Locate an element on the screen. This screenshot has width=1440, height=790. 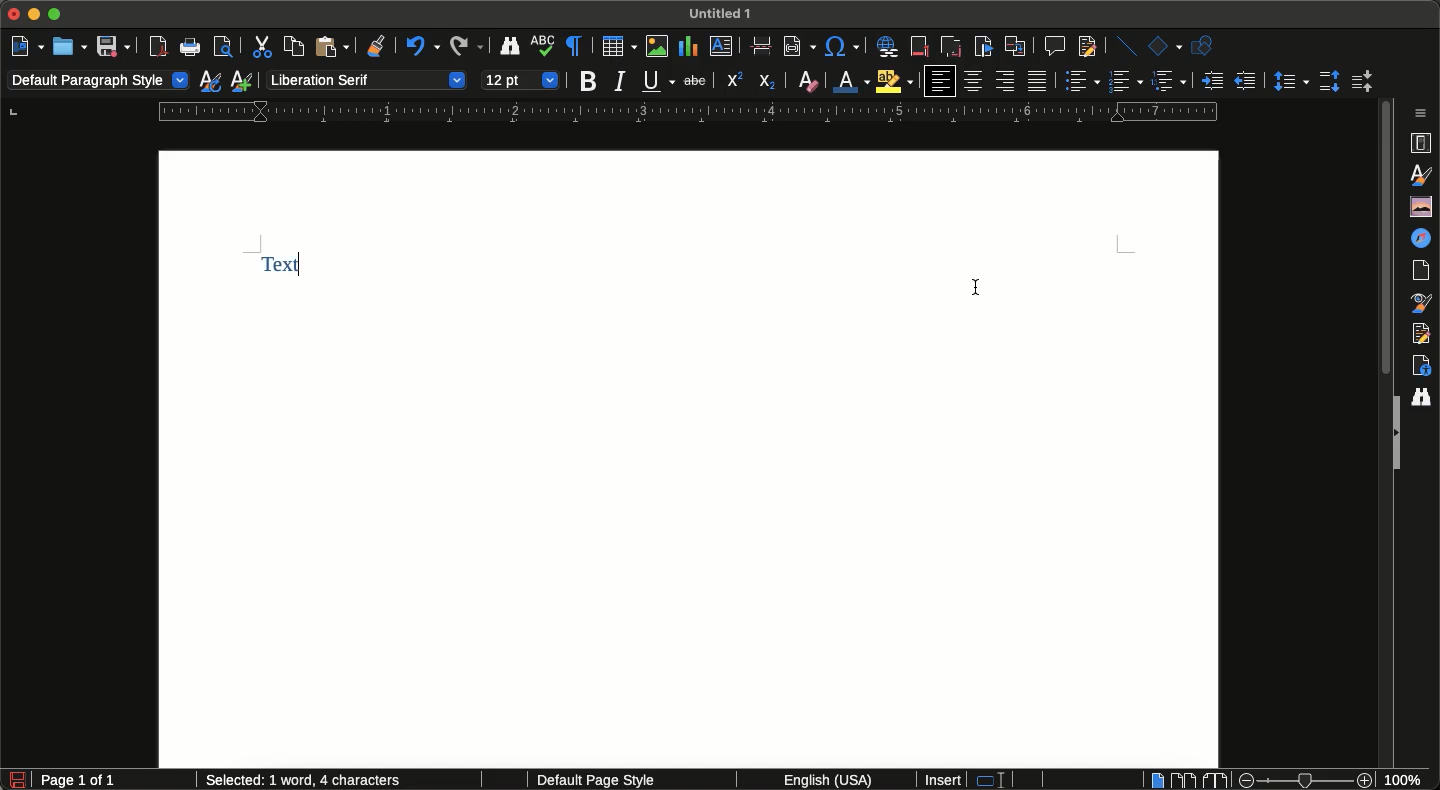
Set line spacing is located at coordinates (1288, 80).